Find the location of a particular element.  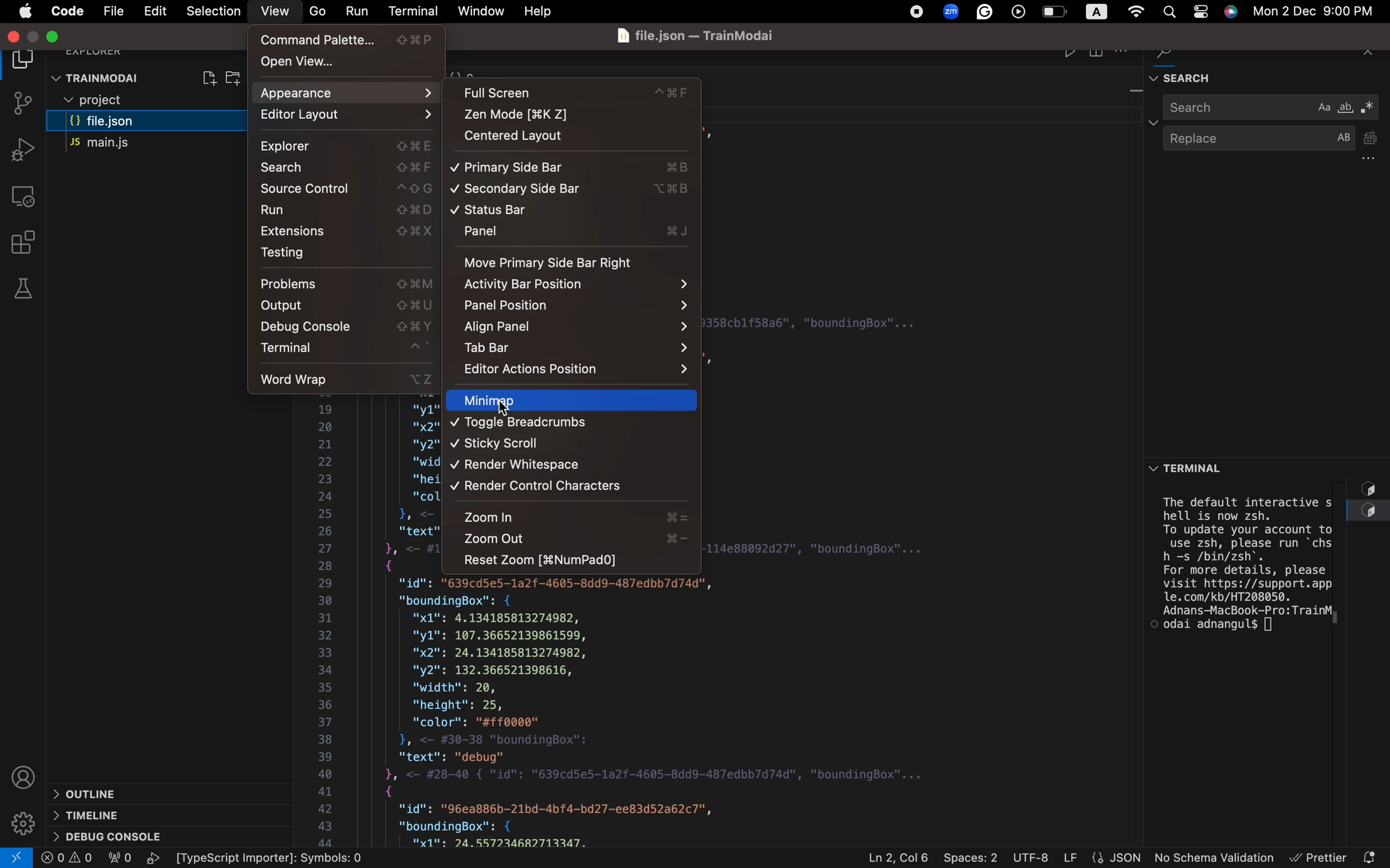

editor layout is located at coordinates (348, 115).